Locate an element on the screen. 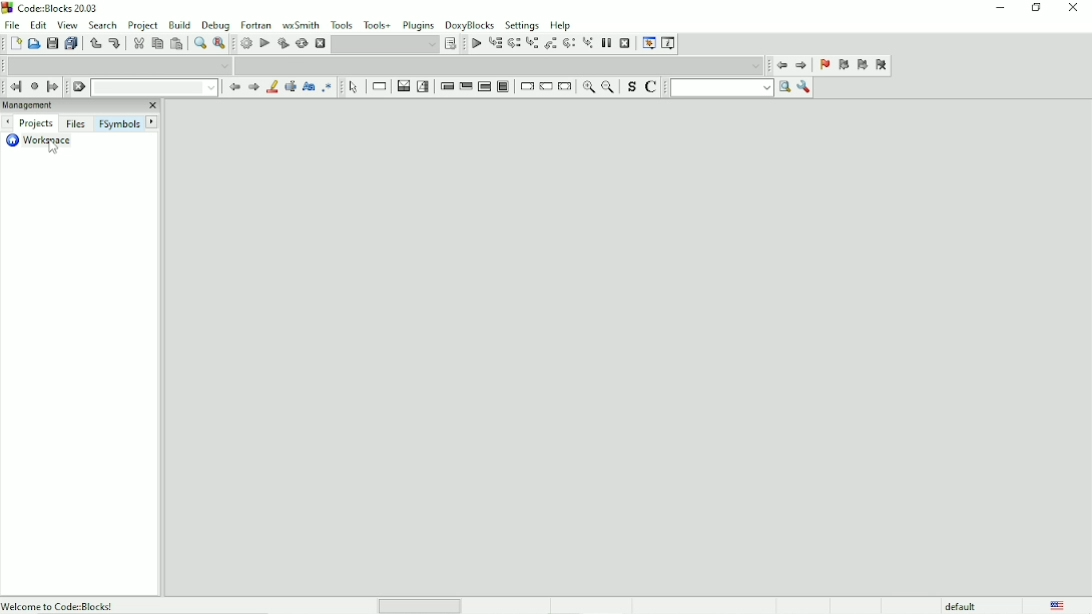 This screenshot has width=1092, height=614. Highlight is located at coordinates (271, 87).